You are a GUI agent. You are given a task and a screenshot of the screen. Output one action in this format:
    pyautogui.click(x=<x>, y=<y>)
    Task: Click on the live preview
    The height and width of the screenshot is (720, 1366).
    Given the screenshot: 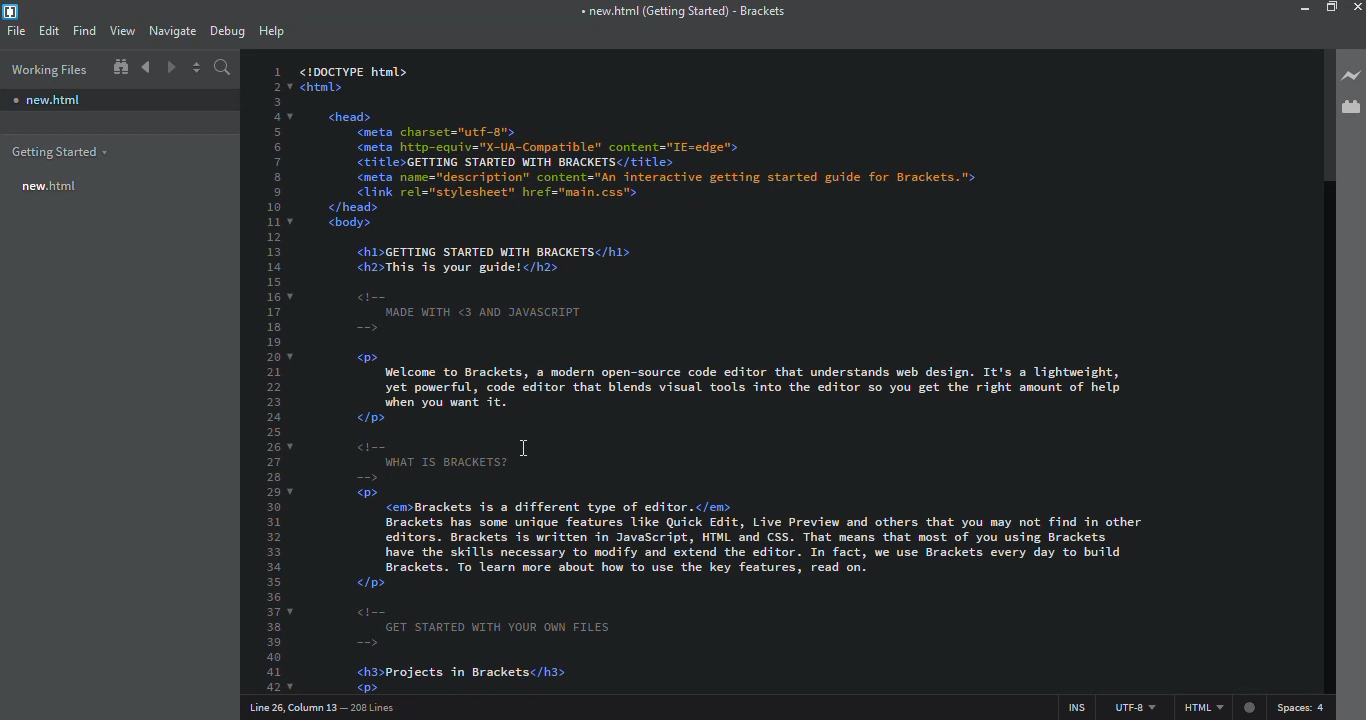 What is the action you would take?
    pyautogui.click(x=1352, y=75)
    